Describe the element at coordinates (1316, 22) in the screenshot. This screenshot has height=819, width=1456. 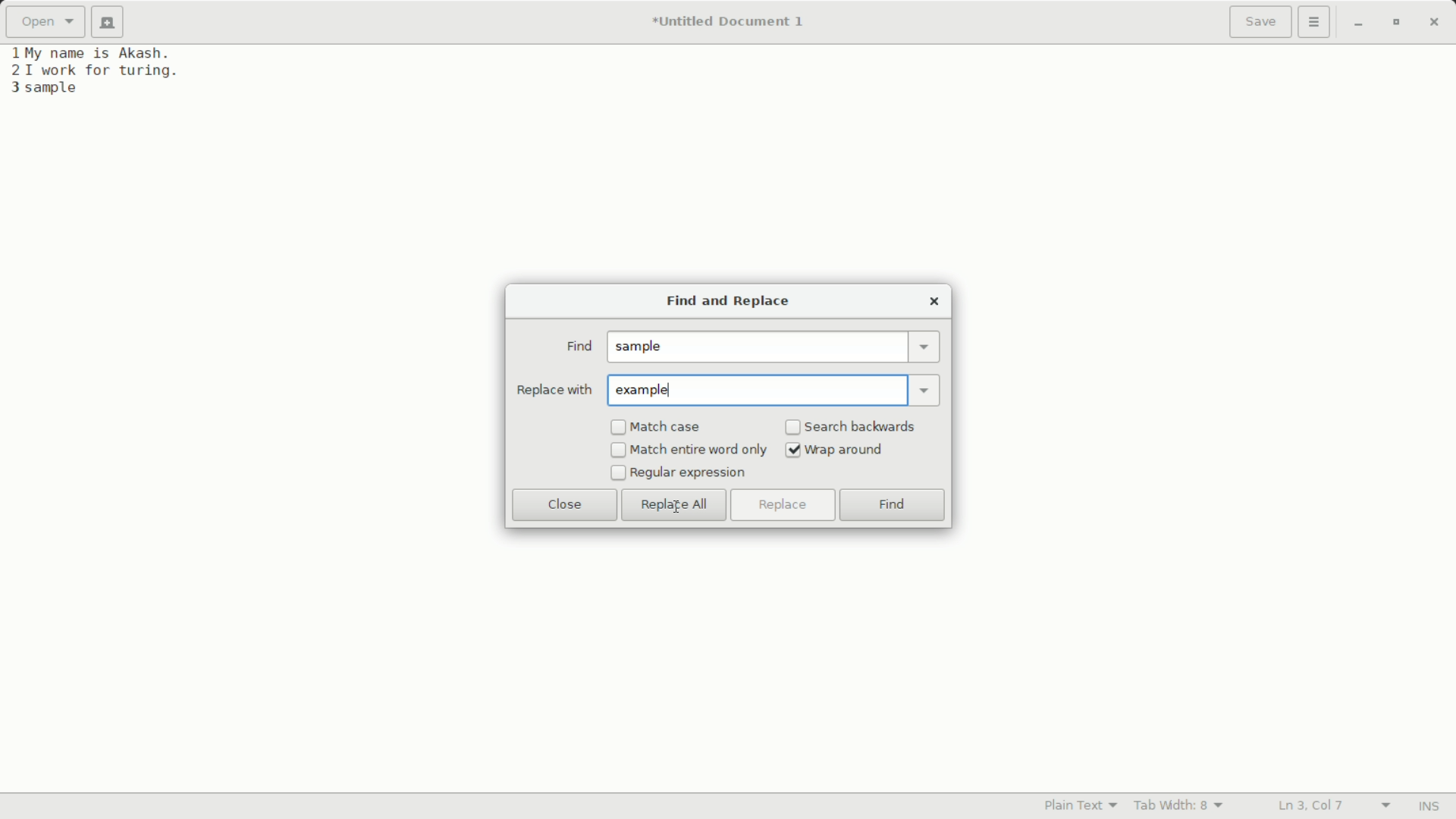
I see `more options` at that location.